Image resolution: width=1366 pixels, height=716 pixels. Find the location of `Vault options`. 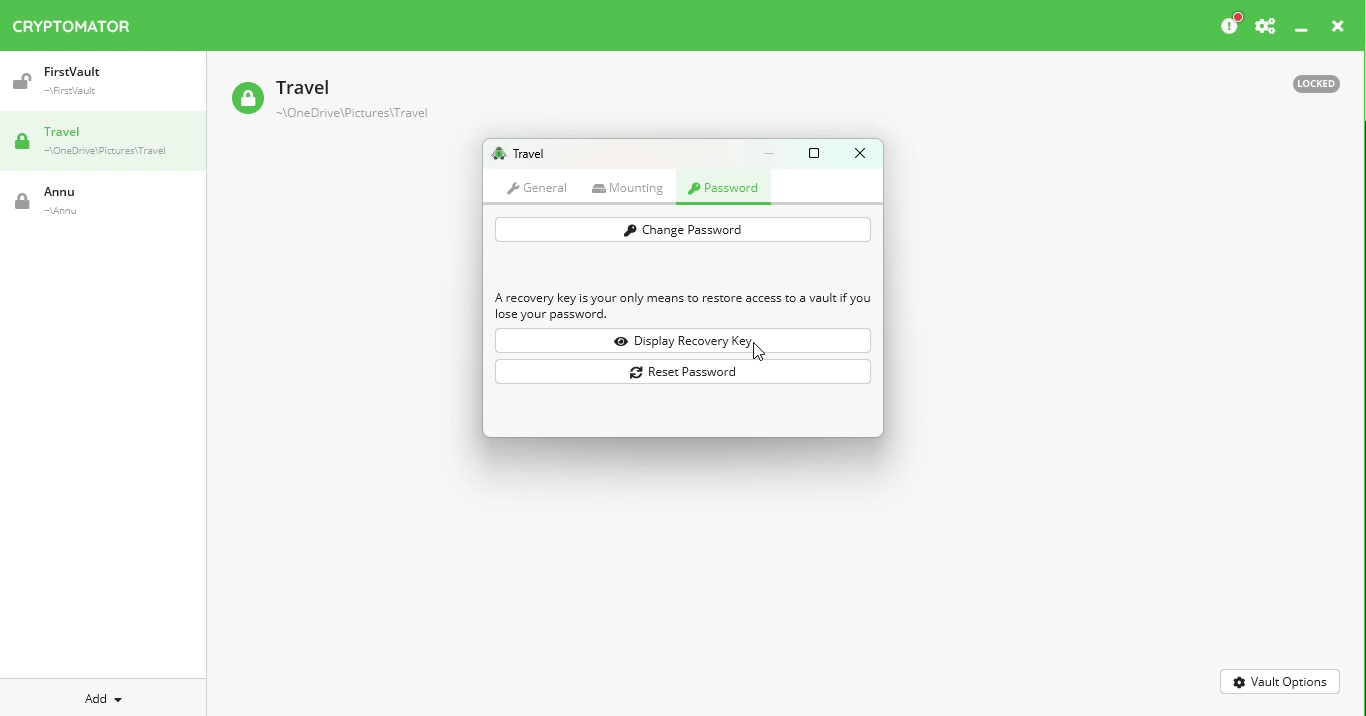

Vault options is located at coordinates (1281, 680).